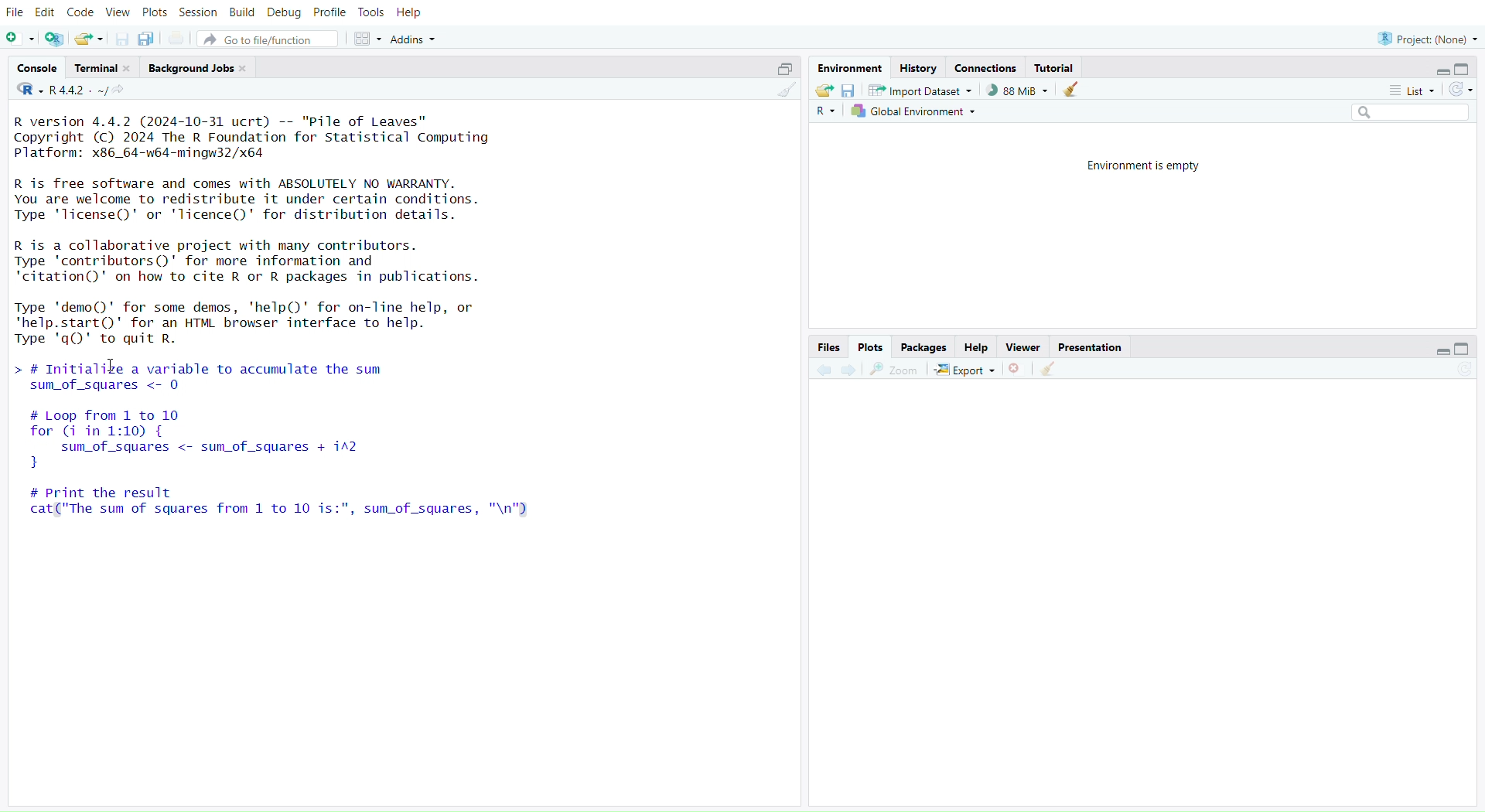 The height and width of the screenshot is (812, 1485). I want to click on new script, so click(20, 40).